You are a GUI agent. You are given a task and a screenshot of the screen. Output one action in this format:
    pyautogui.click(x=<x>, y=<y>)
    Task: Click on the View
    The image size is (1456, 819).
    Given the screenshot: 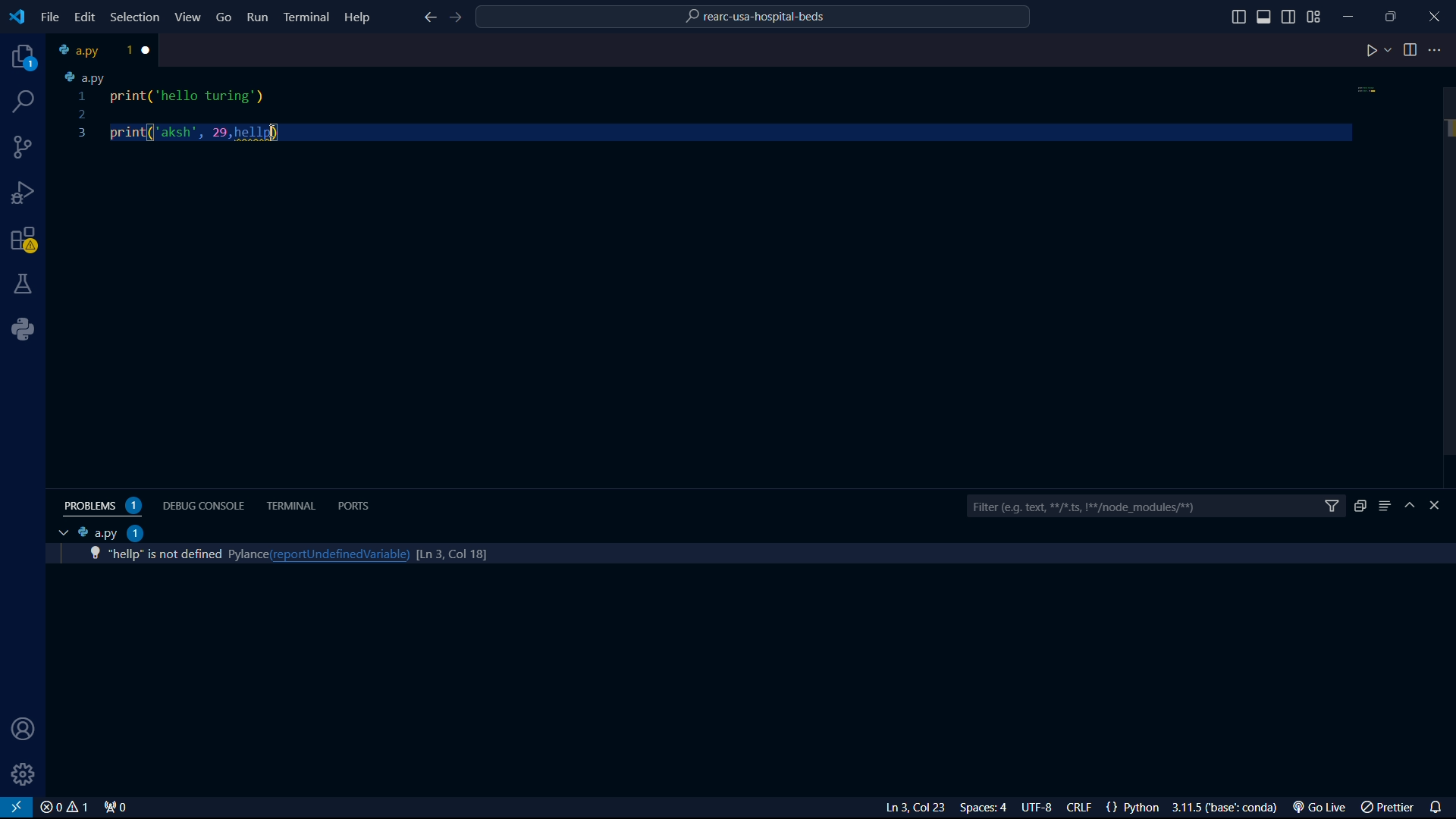 What is the action you would take?
    pyautogui.click(x=189, y=17)
    